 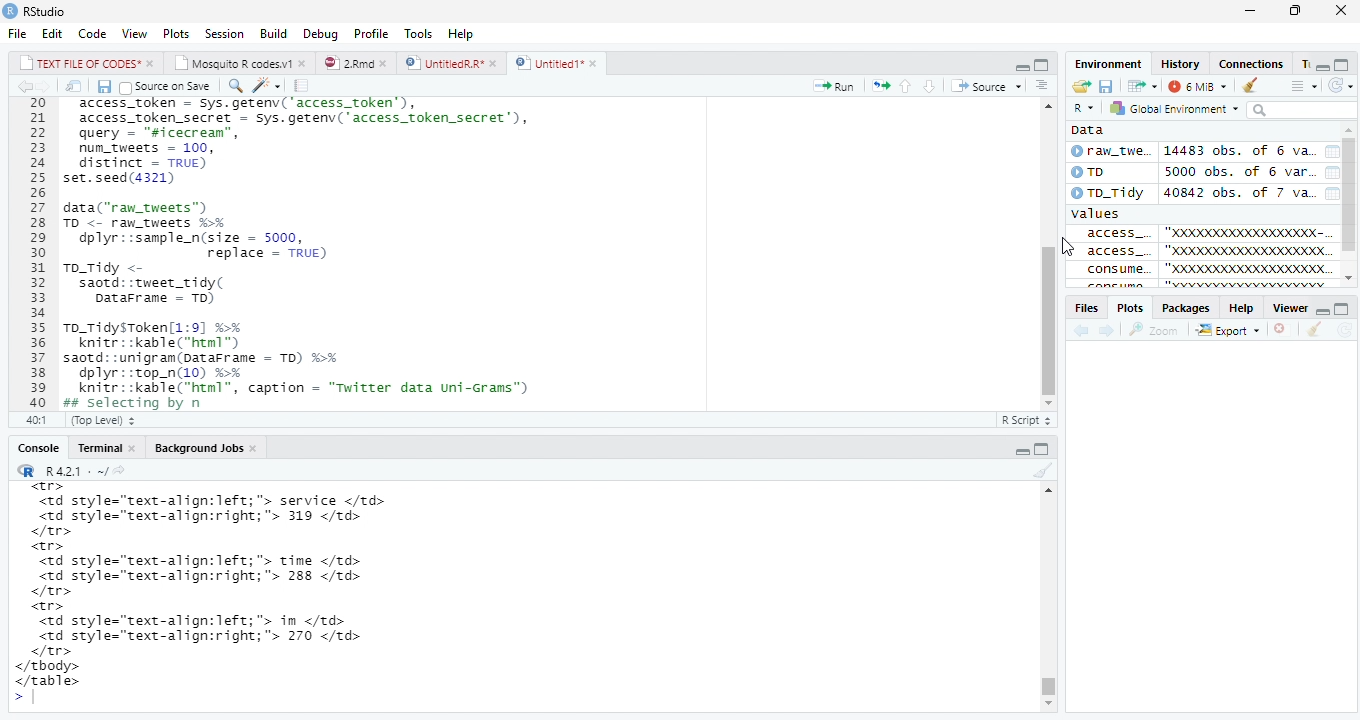 I want to click on , Plots, so click(x=1130, y=308).